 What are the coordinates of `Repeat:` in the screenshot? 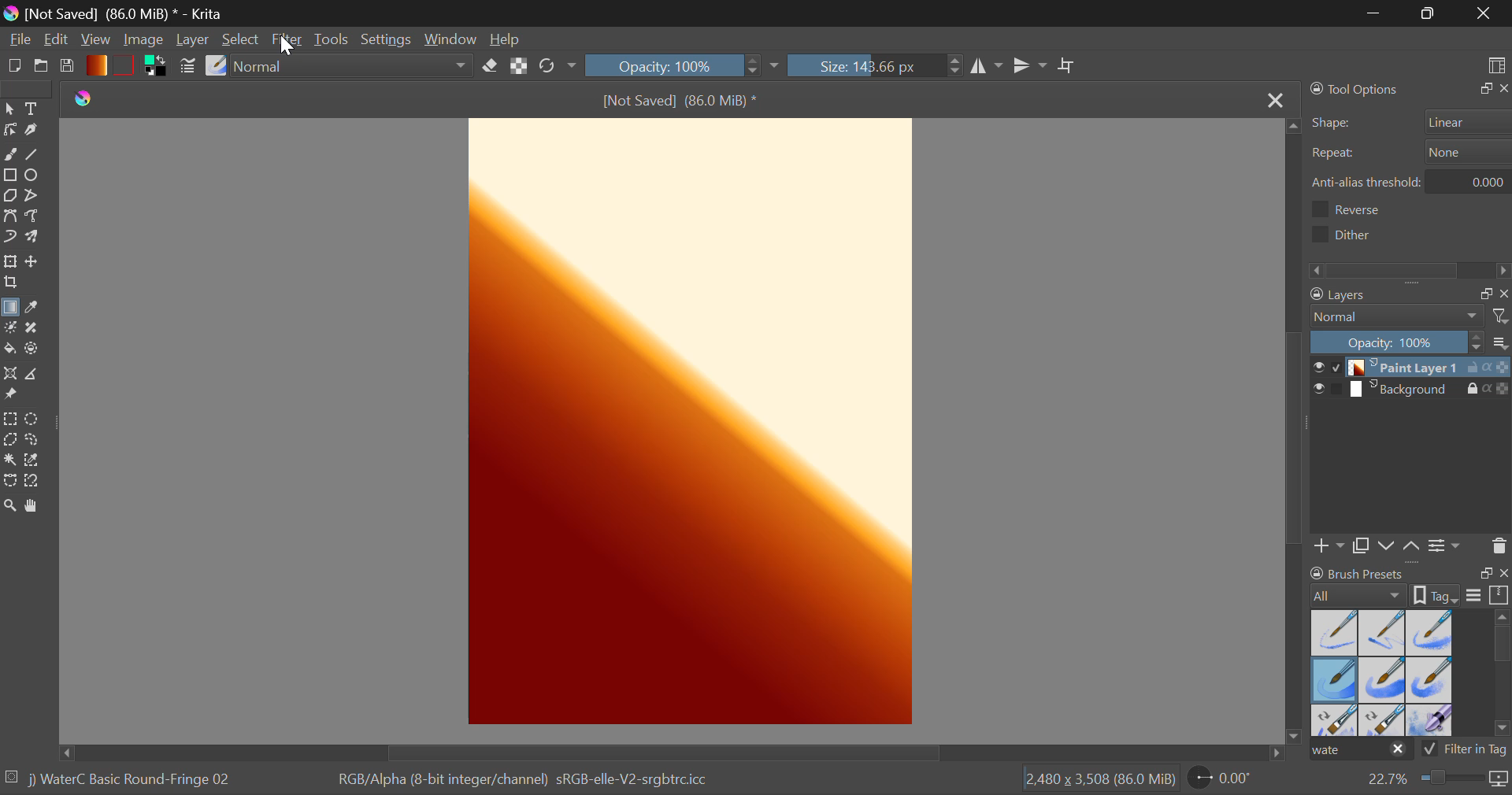 It's located at (1333, 154).